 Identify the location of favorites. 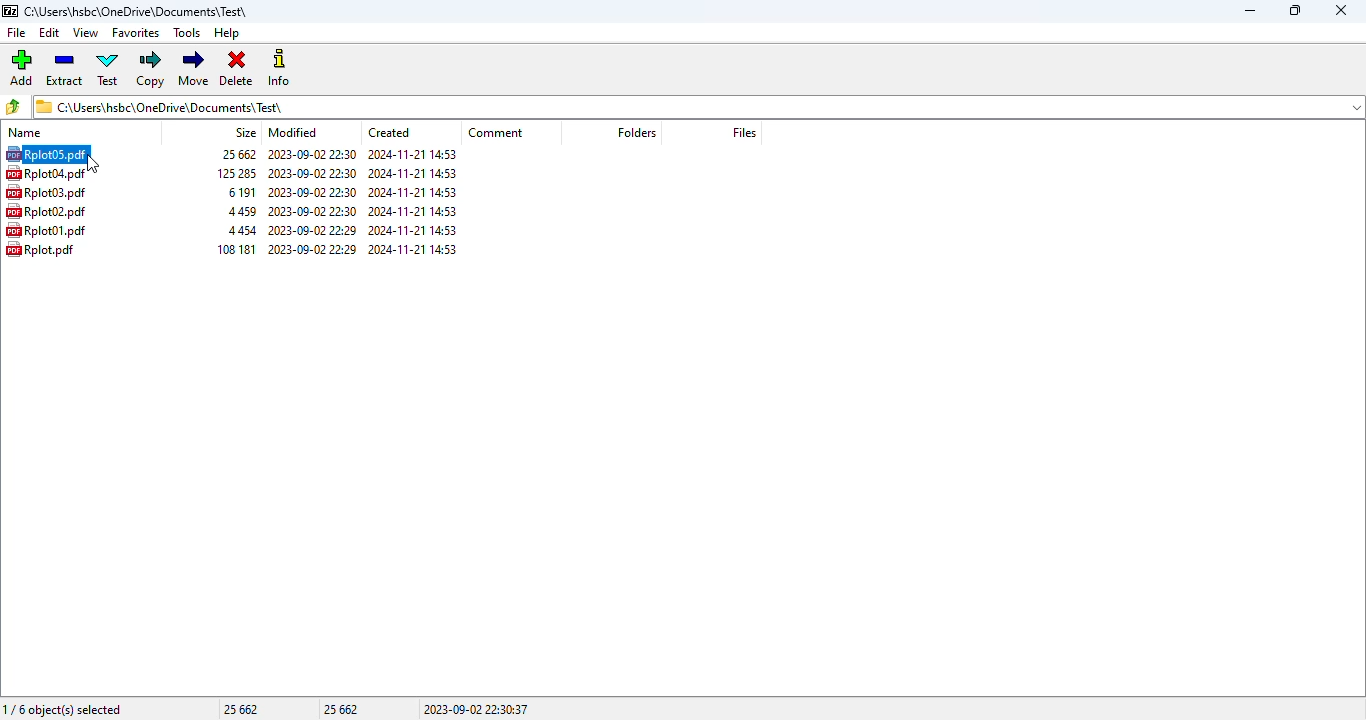
(136, 33).